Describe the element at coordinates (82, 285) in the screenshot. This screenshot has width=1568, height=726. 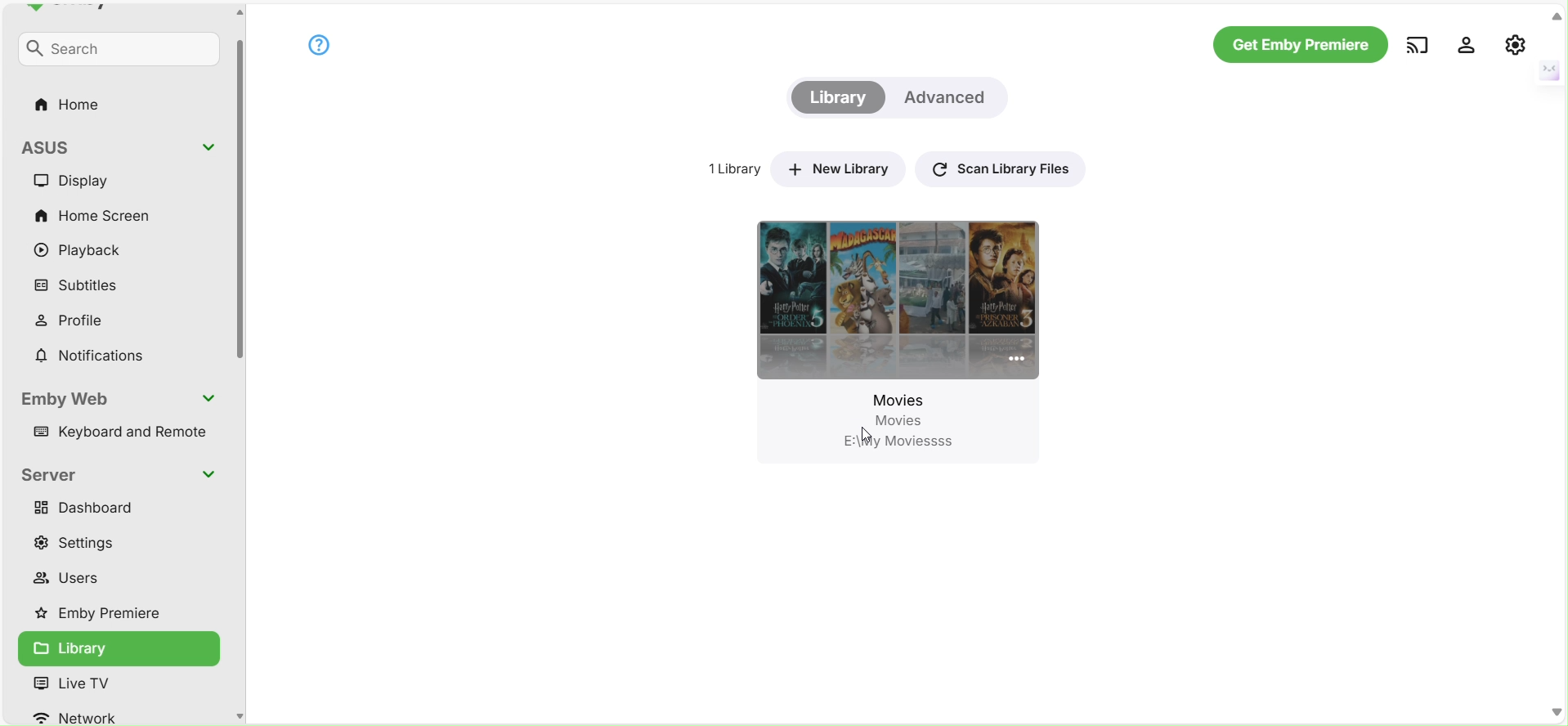
I see `Subtitles` at that location.